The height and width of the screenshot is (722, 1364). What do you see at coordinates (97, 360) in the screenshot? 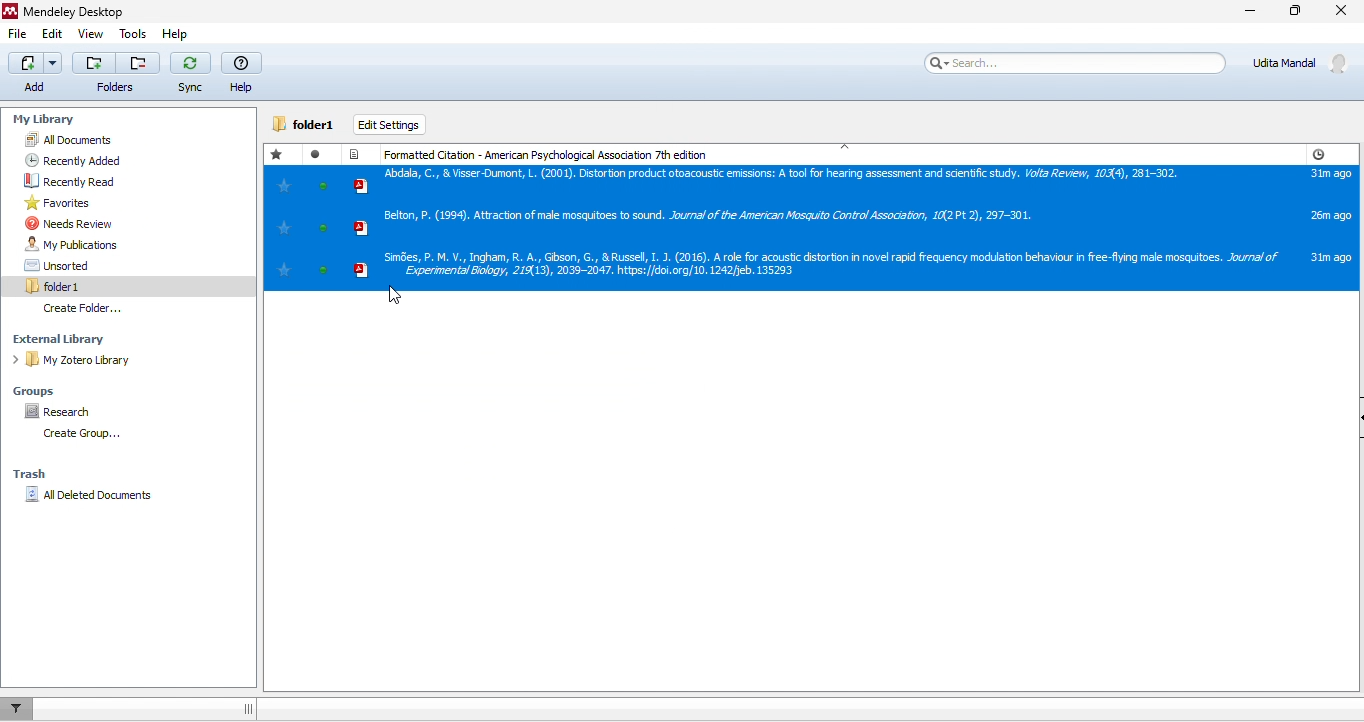
I see `my zotero library` at bounding box center [97, 360].